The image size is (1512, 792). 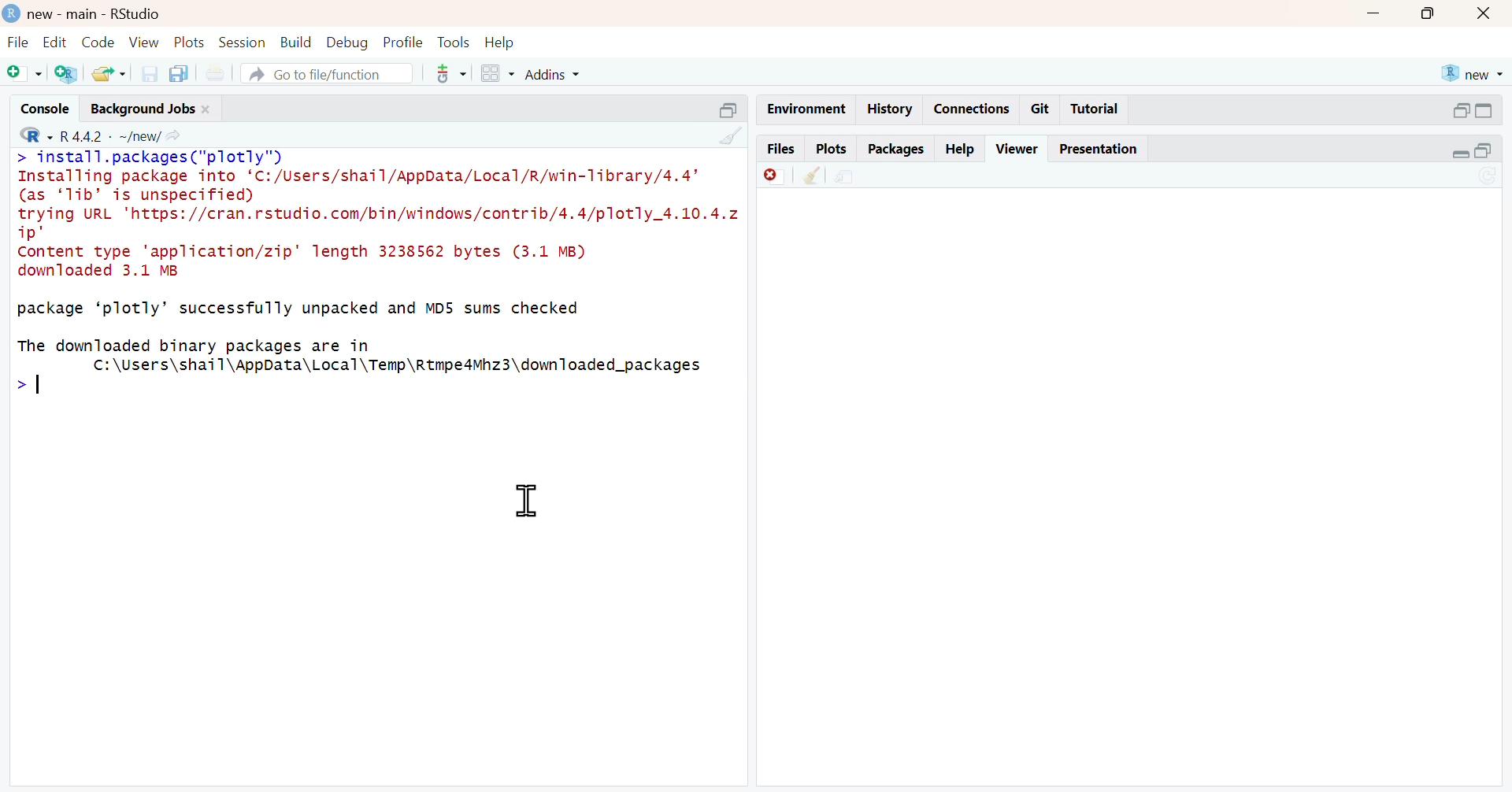 What do you see at coordinates (780, 148) in the screenshot?
I see `files` at bounding box center [780, 148].